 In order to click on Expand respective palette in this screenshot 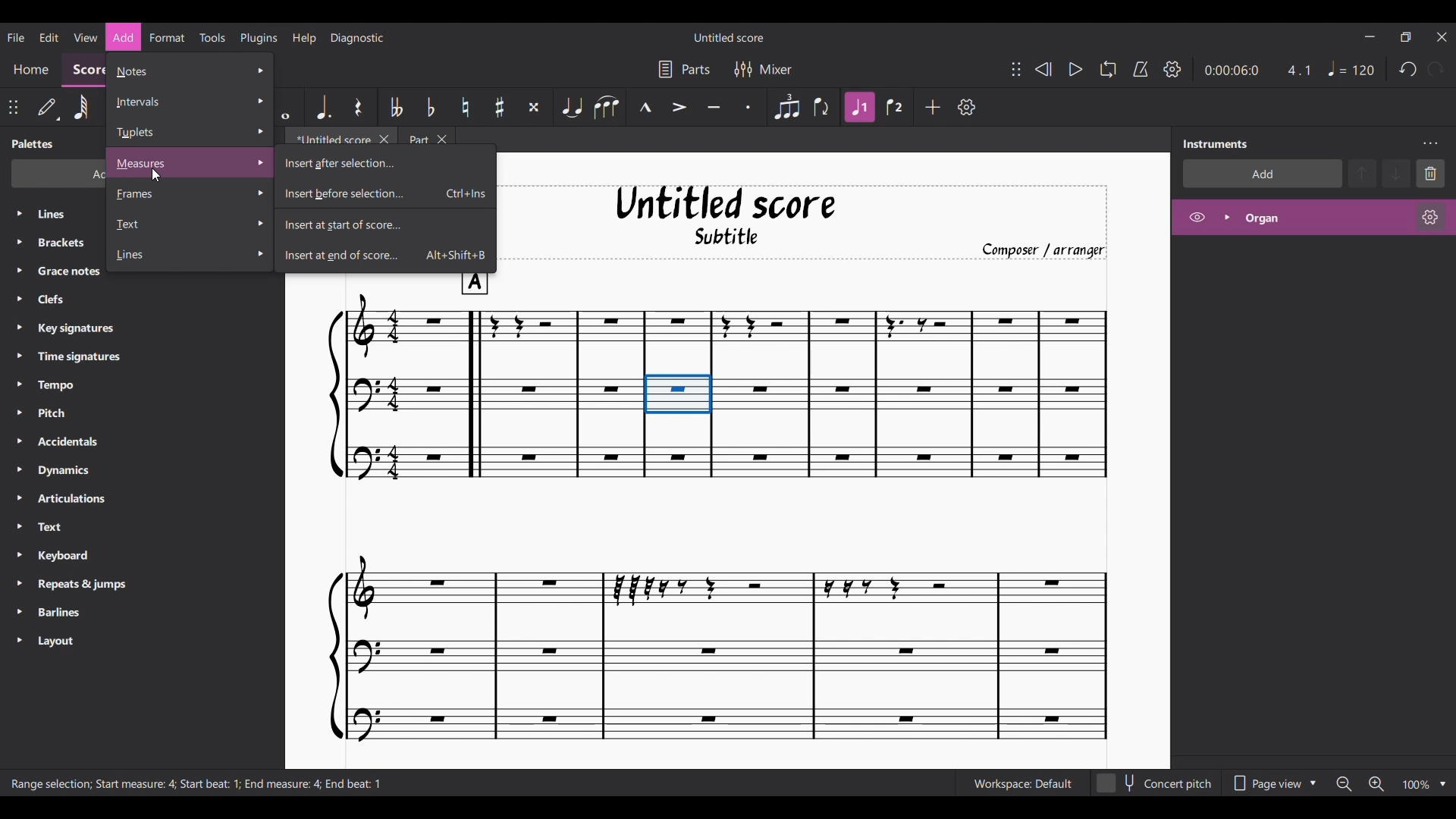, I will do `click(19, 427)`.